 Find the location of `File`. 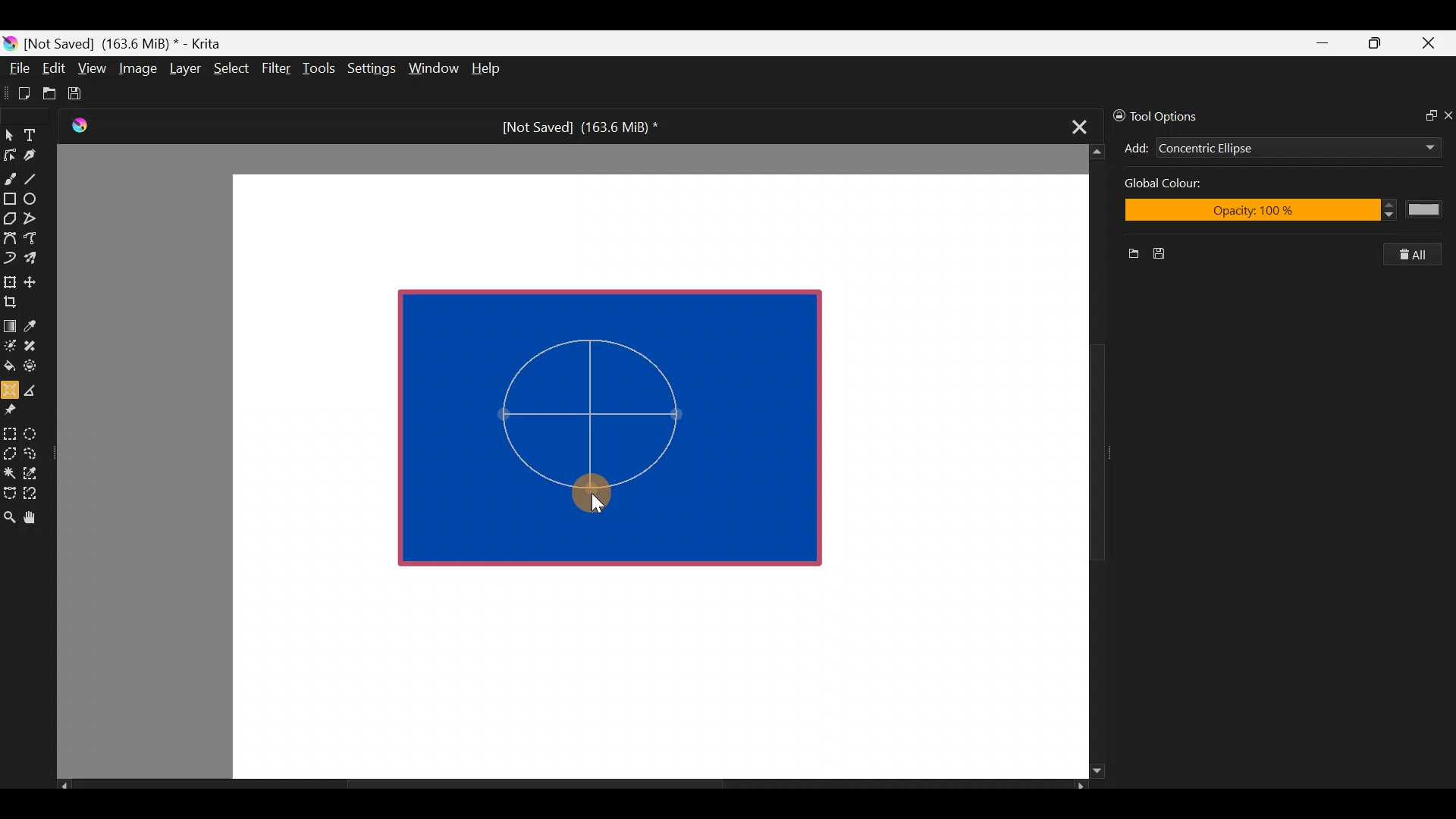

File is located at coordinates (15, 71).